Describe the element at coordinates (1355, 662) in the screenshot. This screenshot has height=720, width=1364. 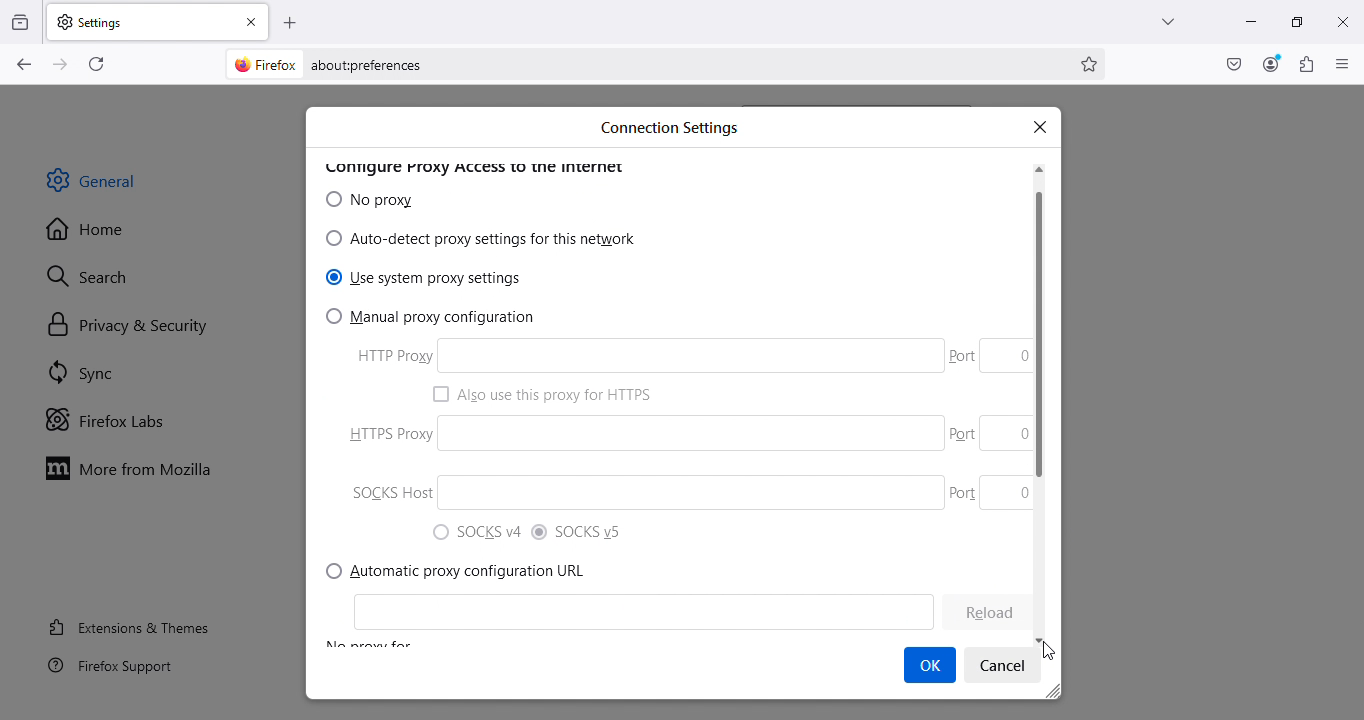
I see `cursor` at that location.